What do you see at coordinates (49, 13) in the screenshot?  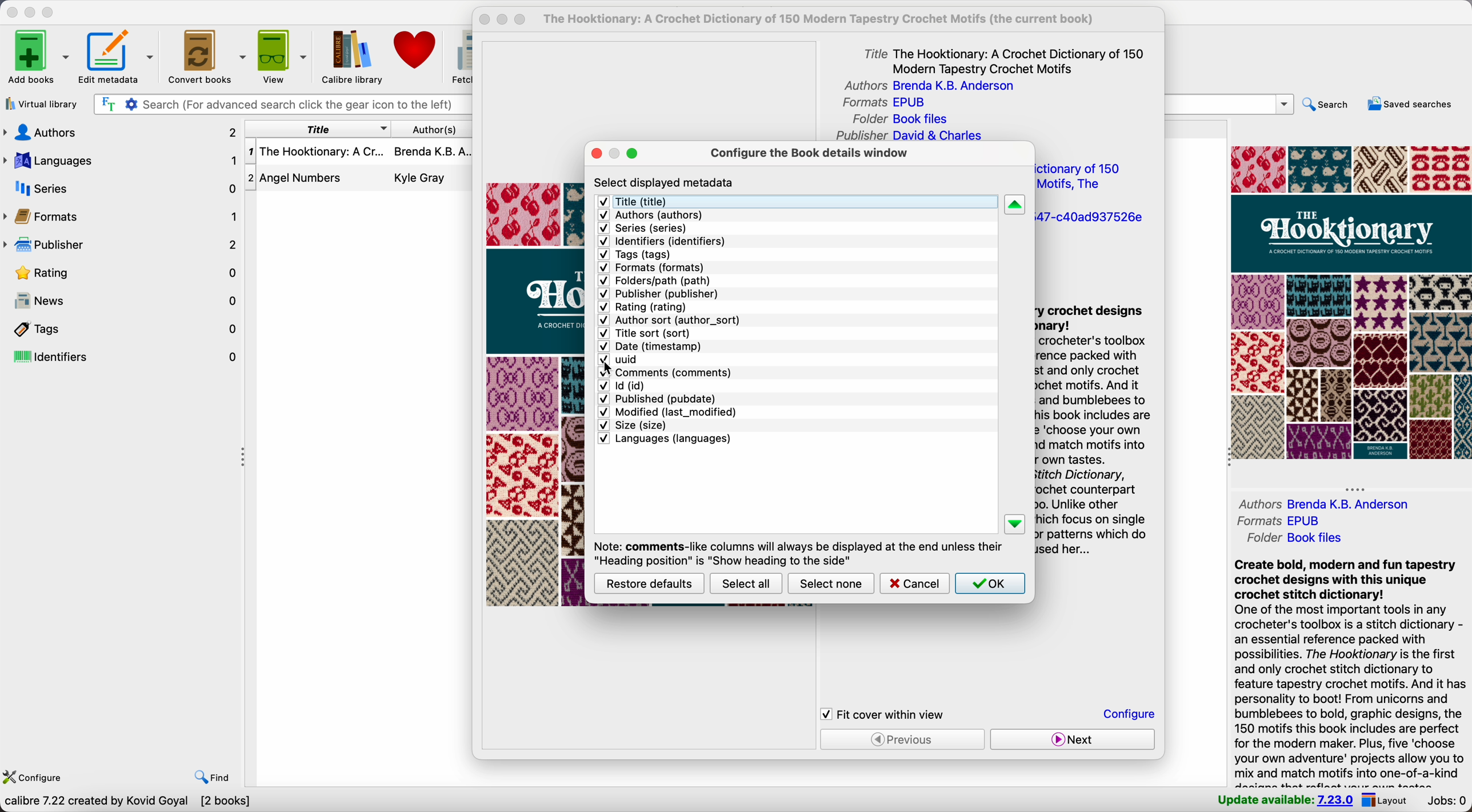 I see `maximize` at bounding box center [49, 13].